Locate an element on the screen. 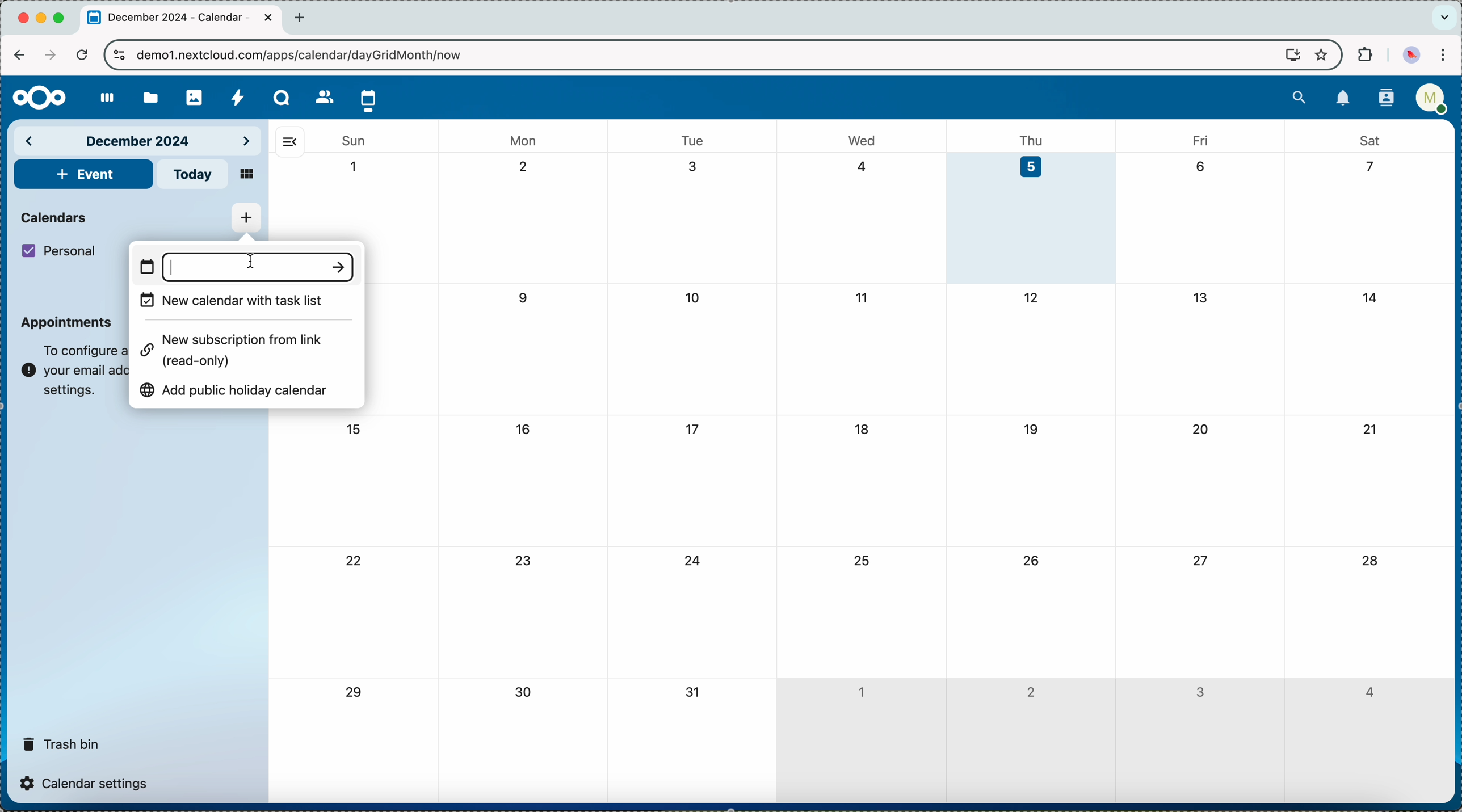 The width and height of the screenshot is (1462, 812). contacts is located at coordinates (1383, 99).